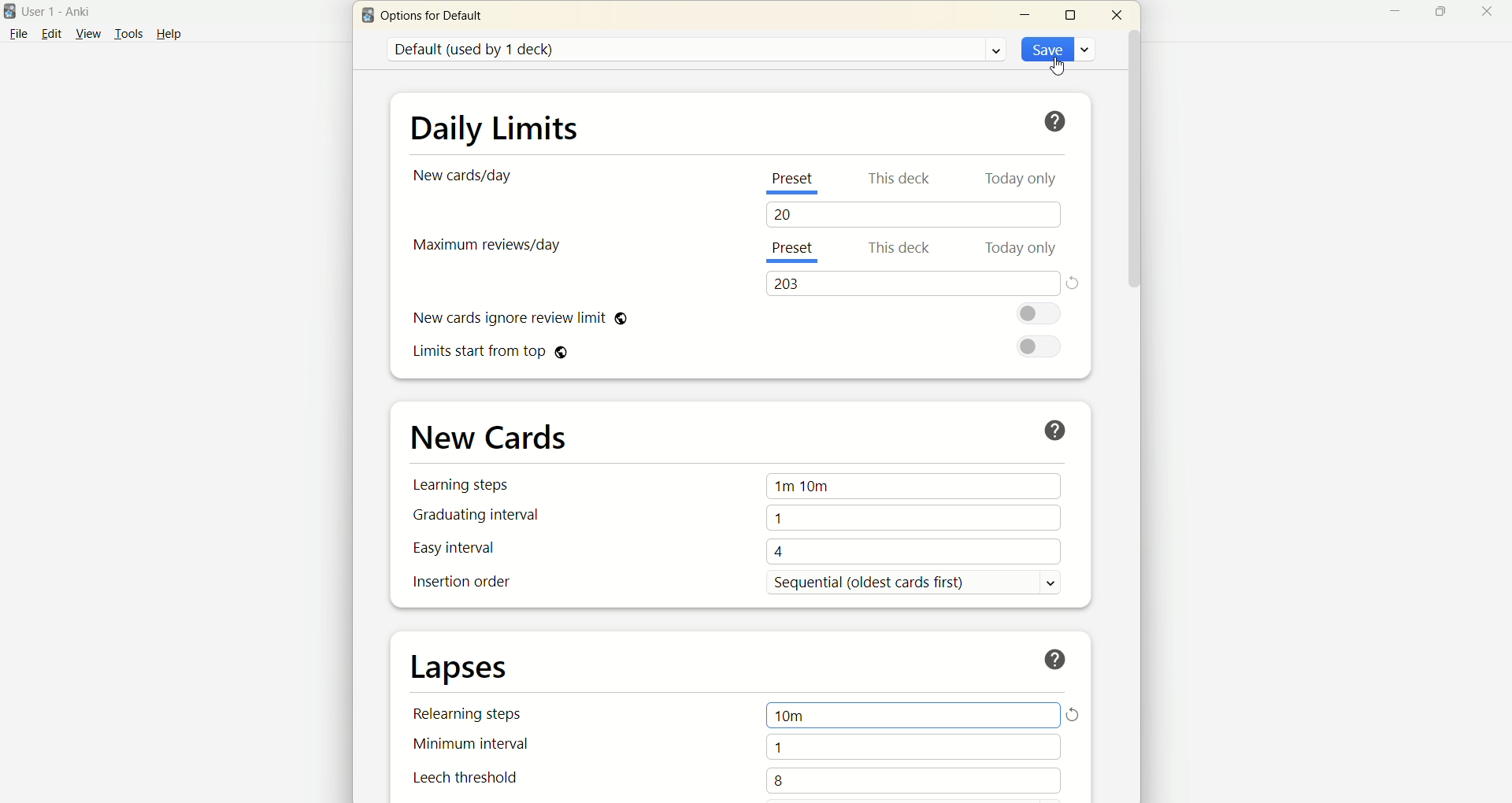 This screenshot has height=803, width=1512. Describe the element at coordinates (454, 548) in the screenshot. I see `easy interval` at that location.